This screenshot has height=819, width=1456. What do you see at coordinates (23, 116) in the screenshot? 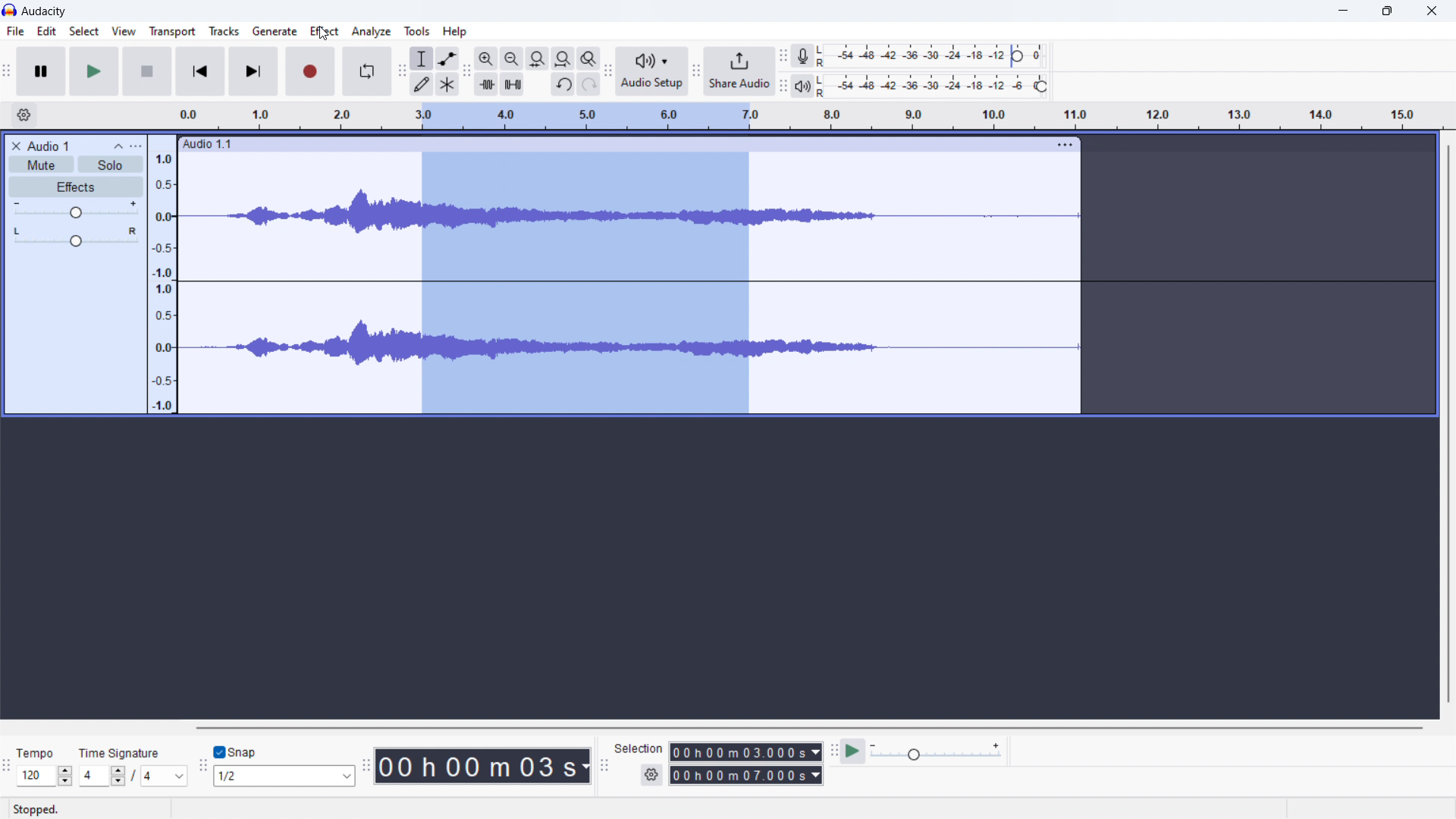
I see `settings` at bounding box center [23, 116].